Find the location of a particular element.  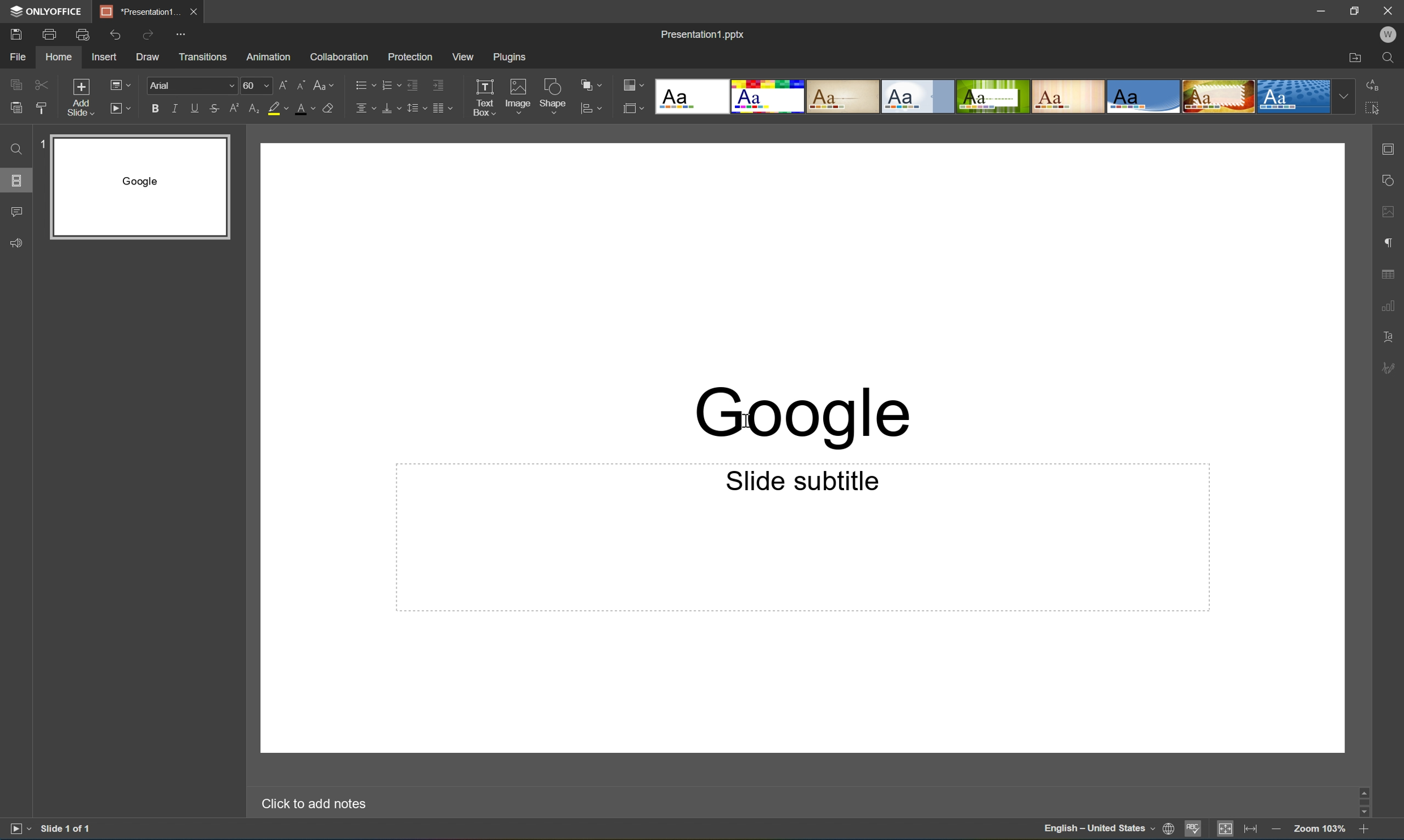

Arial is located at coordinates (191, 87).